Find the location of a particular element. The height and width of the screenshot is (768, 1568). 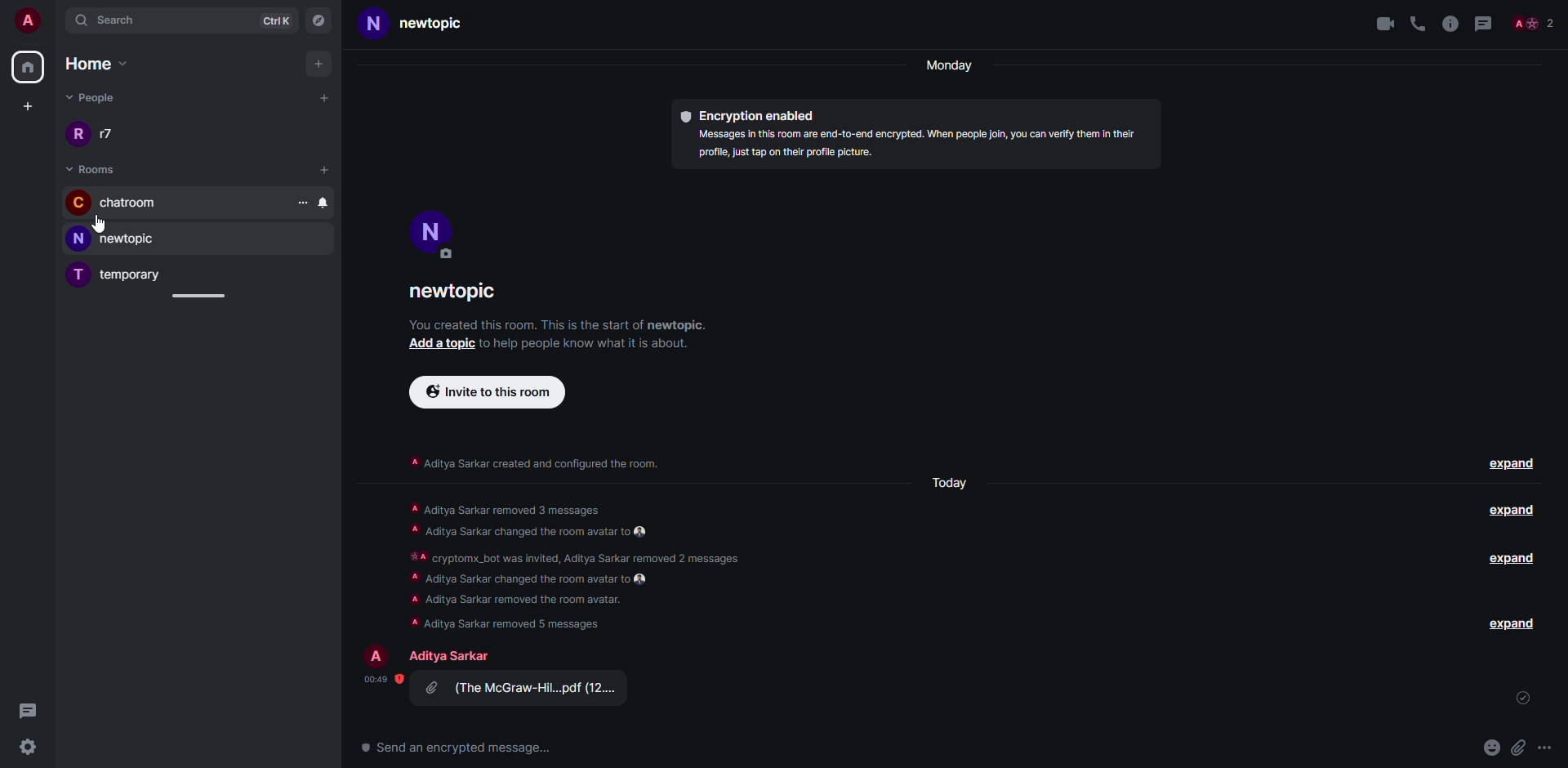

chatroom is located at coordinates (123, 201).